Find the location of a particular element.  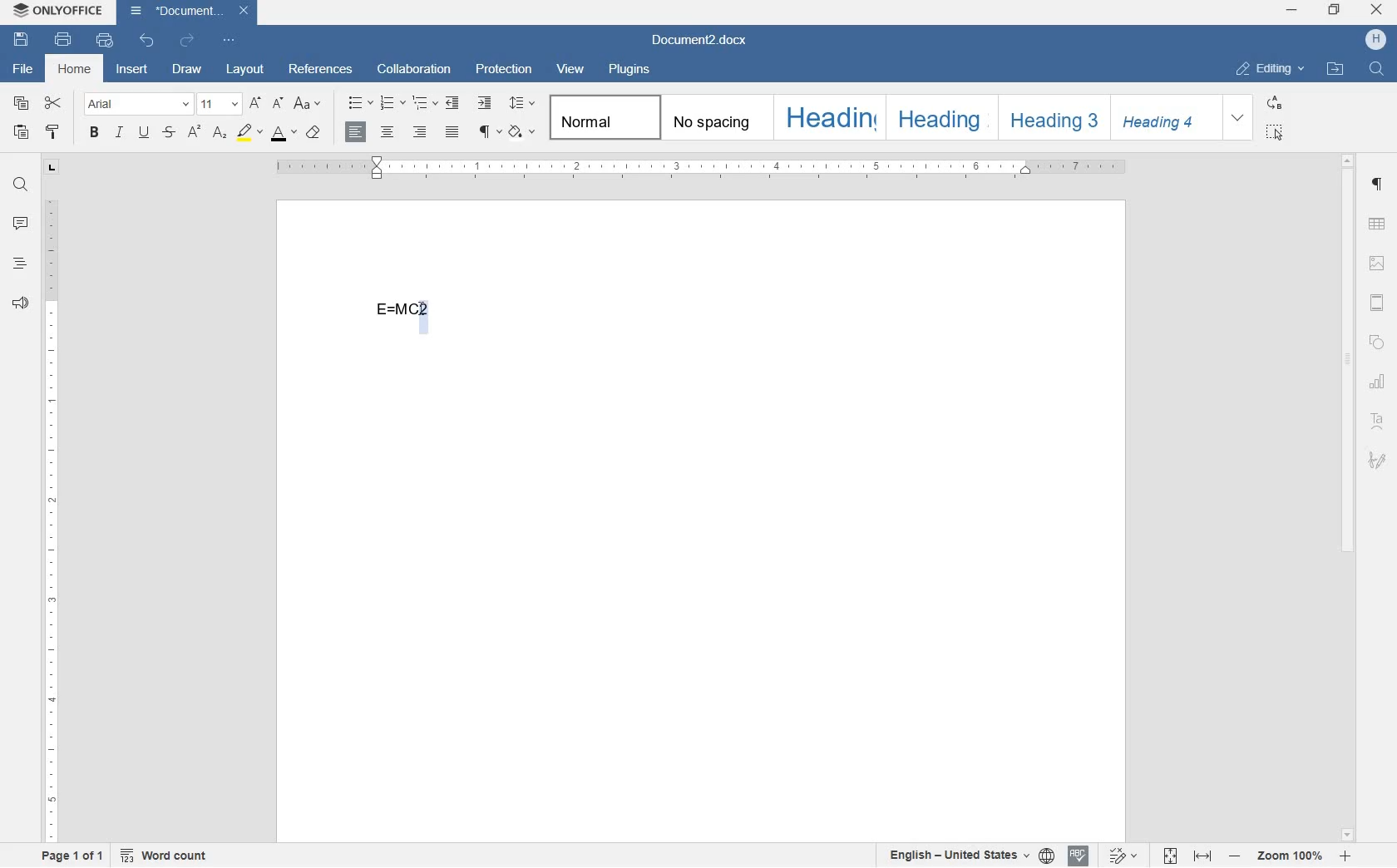

superscript is located at coordinates (194, 131).